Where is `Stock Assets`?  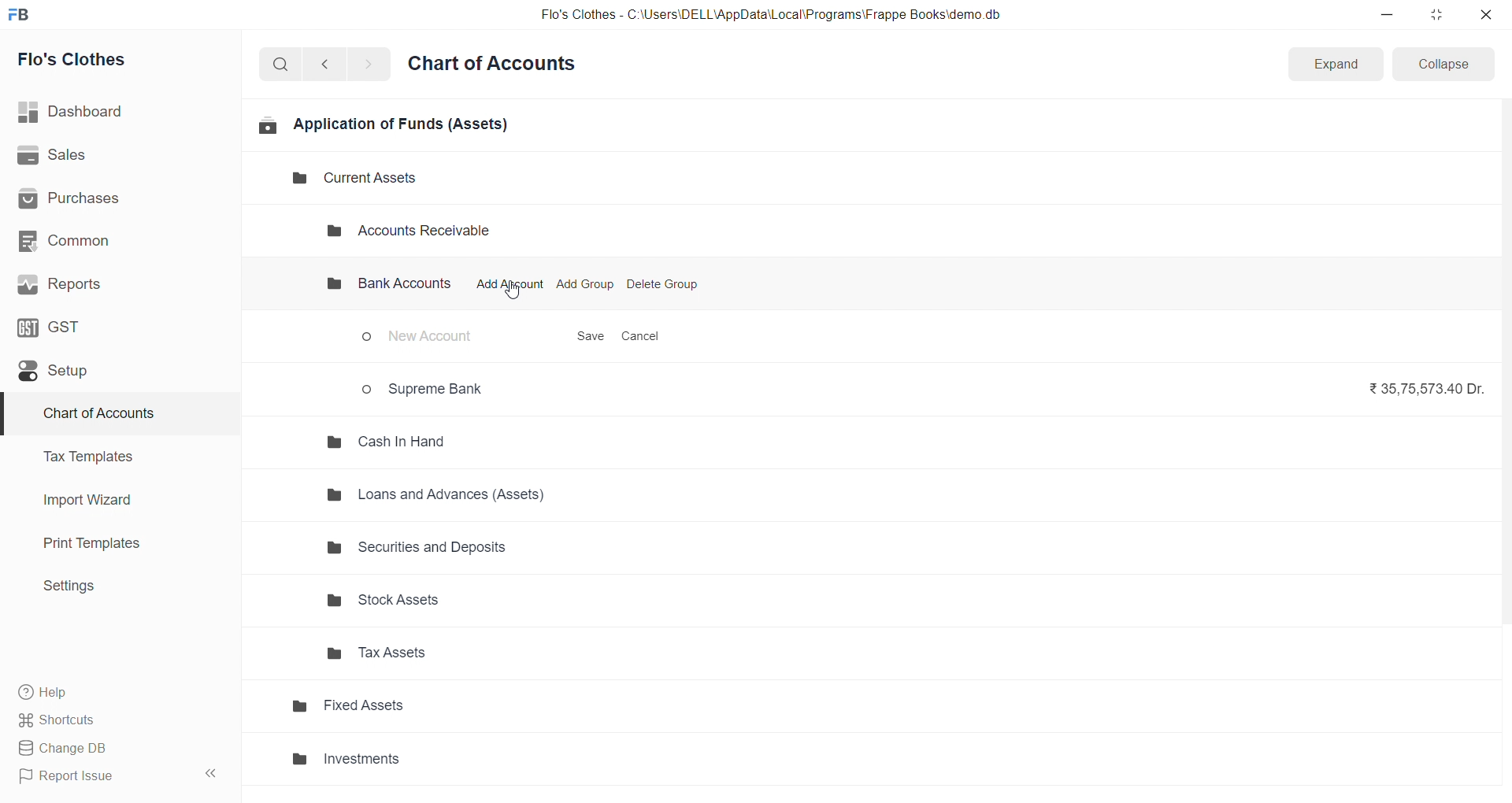
Stock Assets is located at coordinates (450, 601).